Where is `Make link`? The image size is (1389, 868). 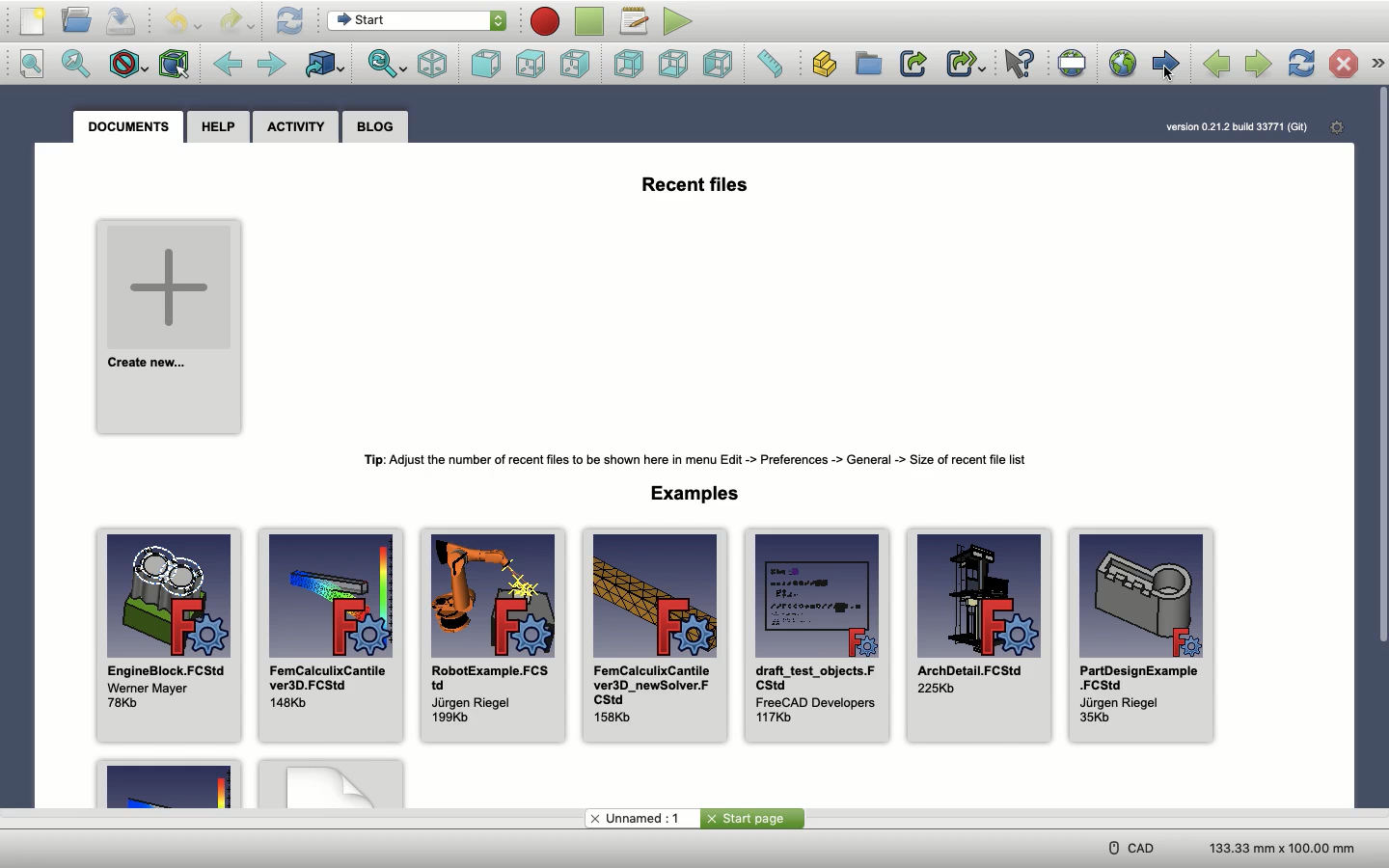
Make link is located at coordinates (915, 65).